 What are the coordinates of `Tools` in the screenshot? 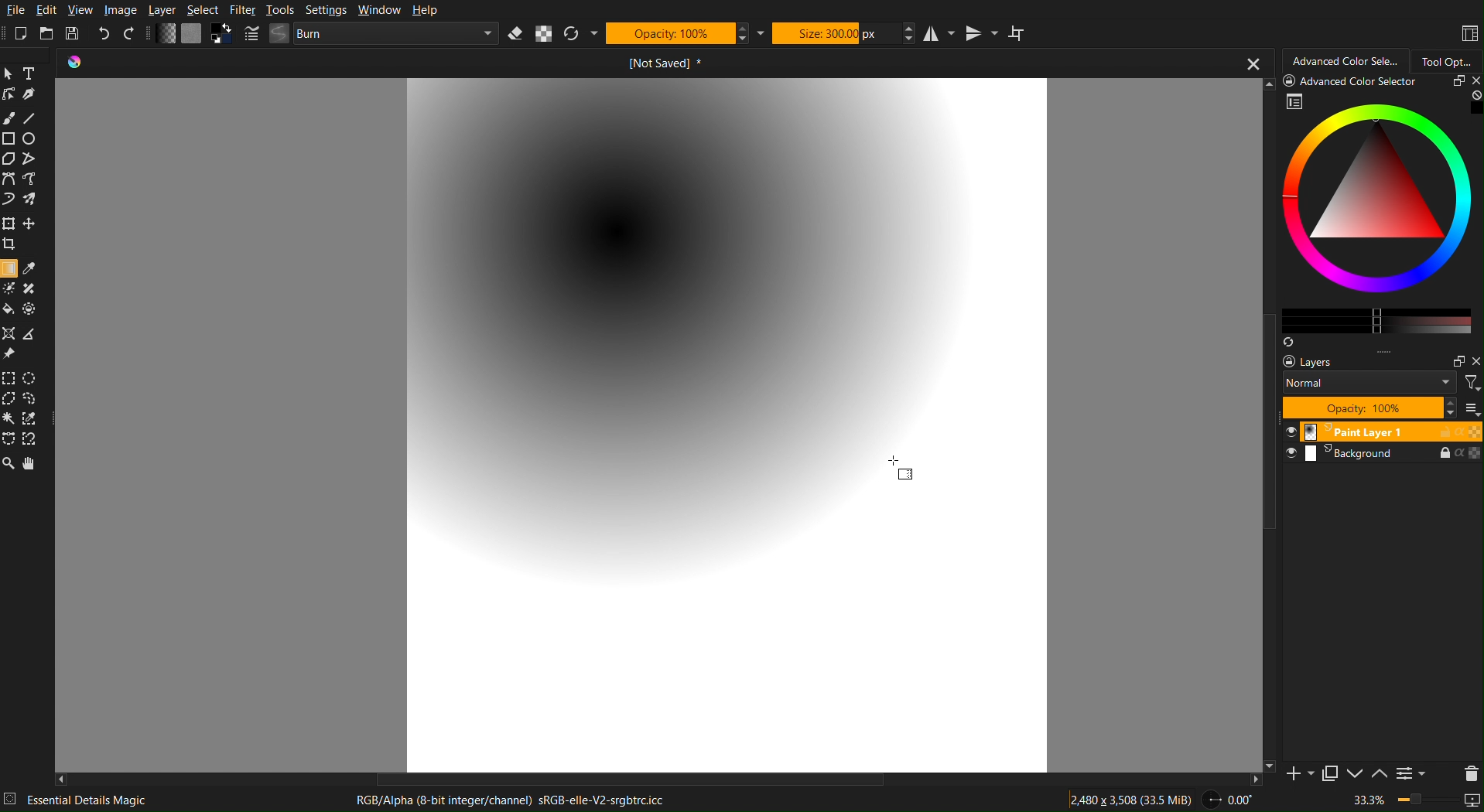 It's located at (280, 10).